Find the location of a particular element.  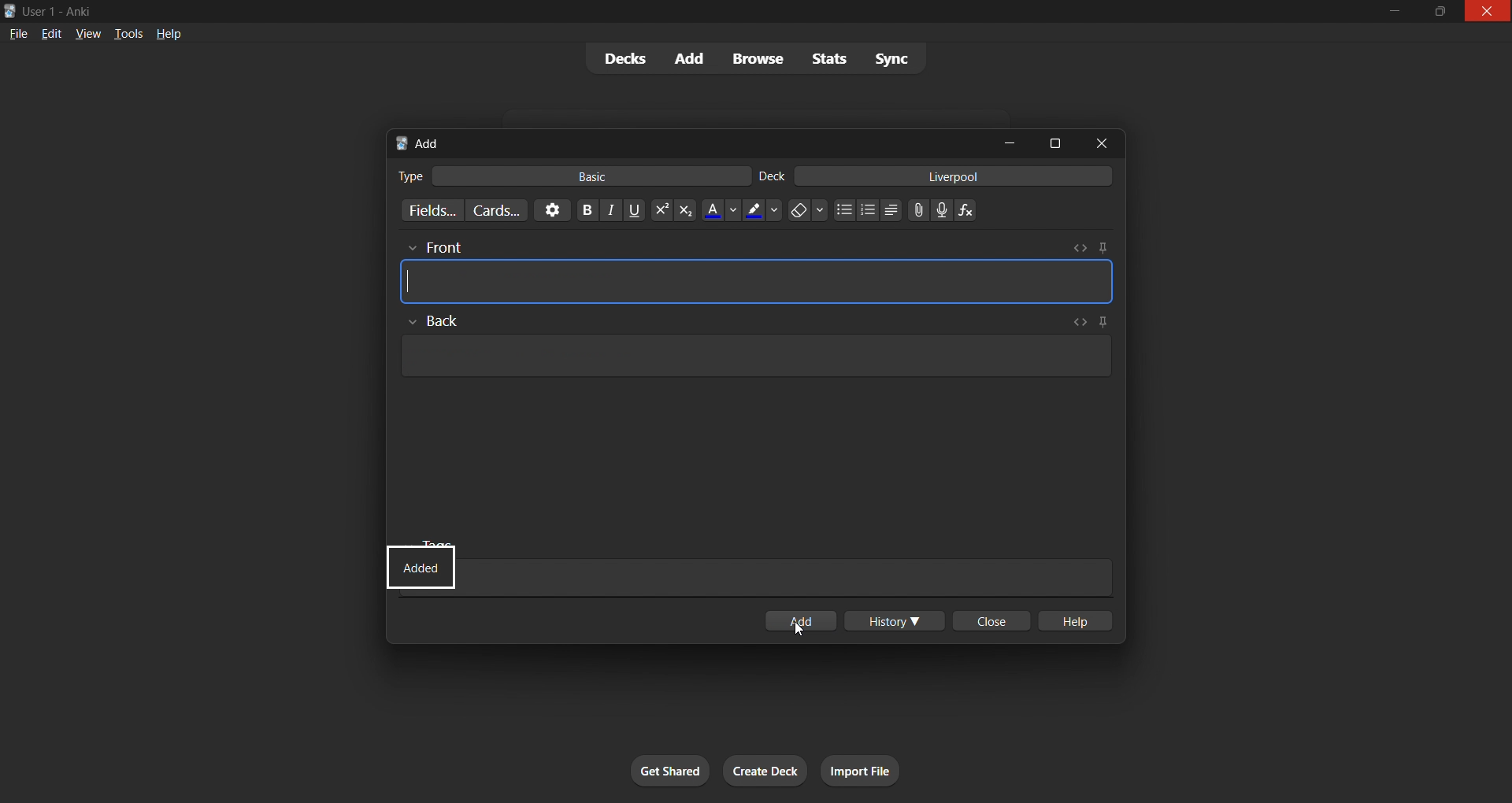

decks is located at coordinates (621, 59).